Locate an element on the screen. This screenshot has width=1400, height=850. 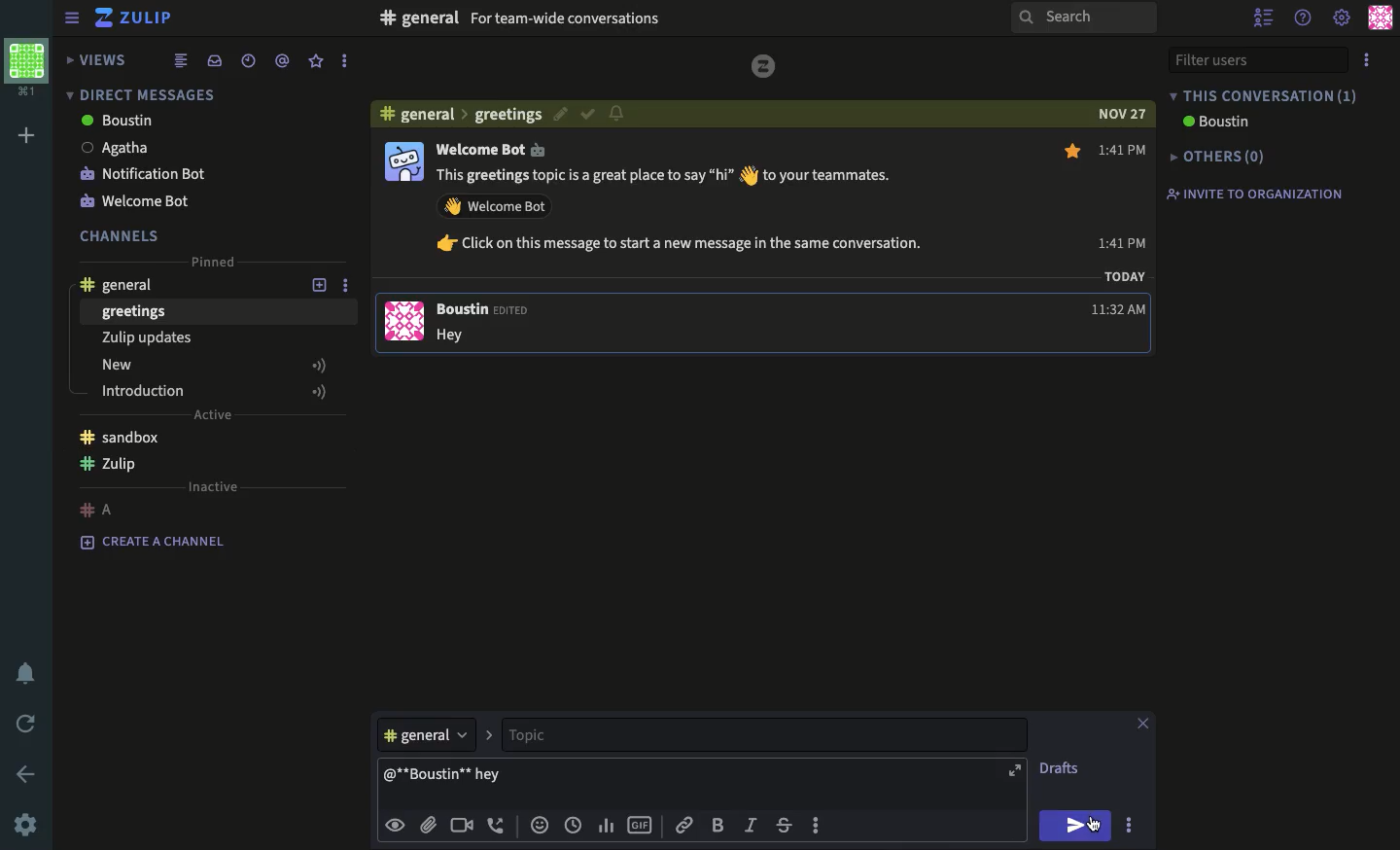
general is located at coordinates (435, 733).